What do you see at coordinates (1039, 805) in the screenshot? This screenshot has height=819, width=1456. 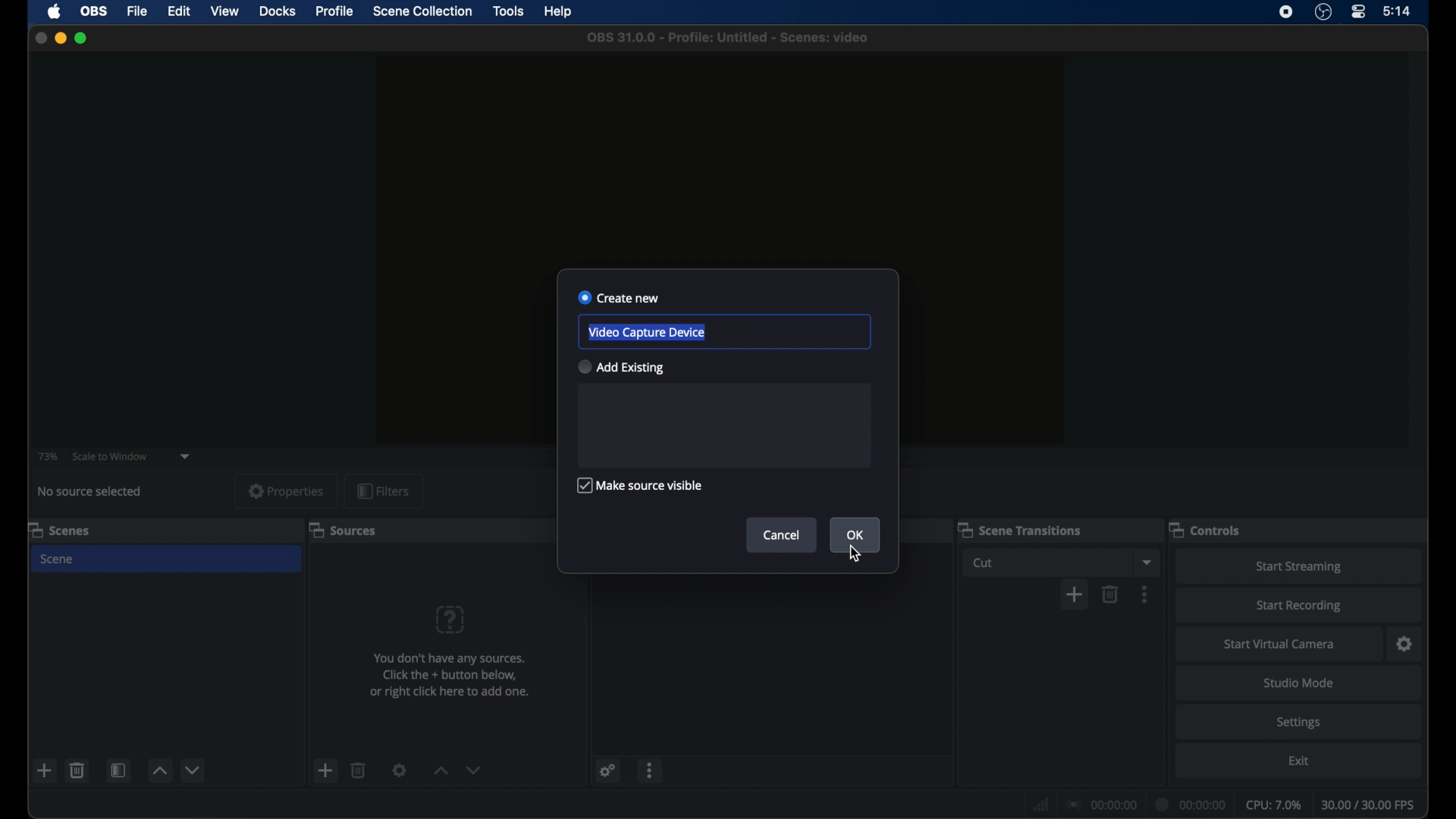 I see `network` at bounding box center [1039, 805].